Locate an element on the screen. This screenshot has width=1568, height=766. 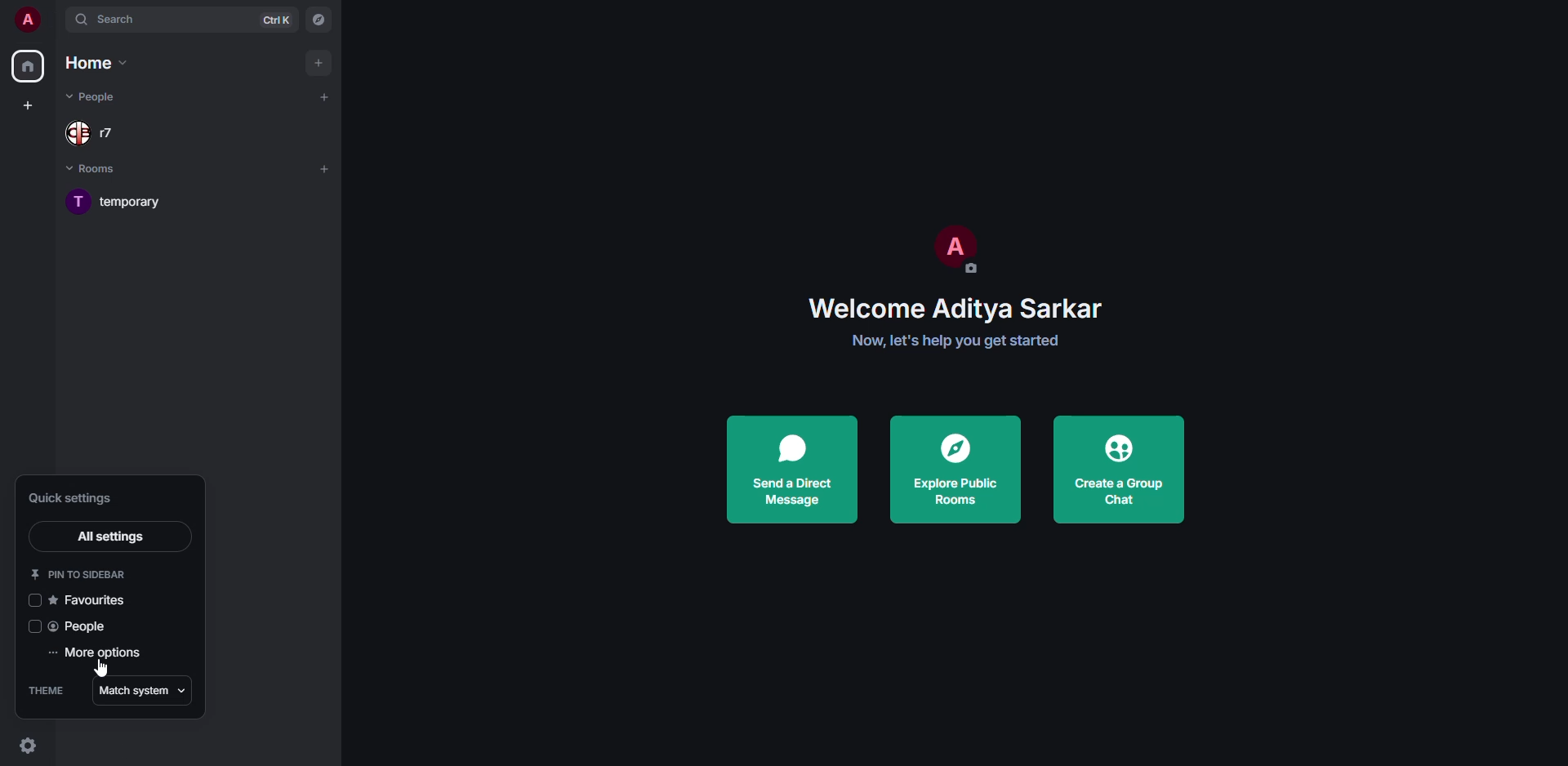
search is located at coordinates (113, 19).